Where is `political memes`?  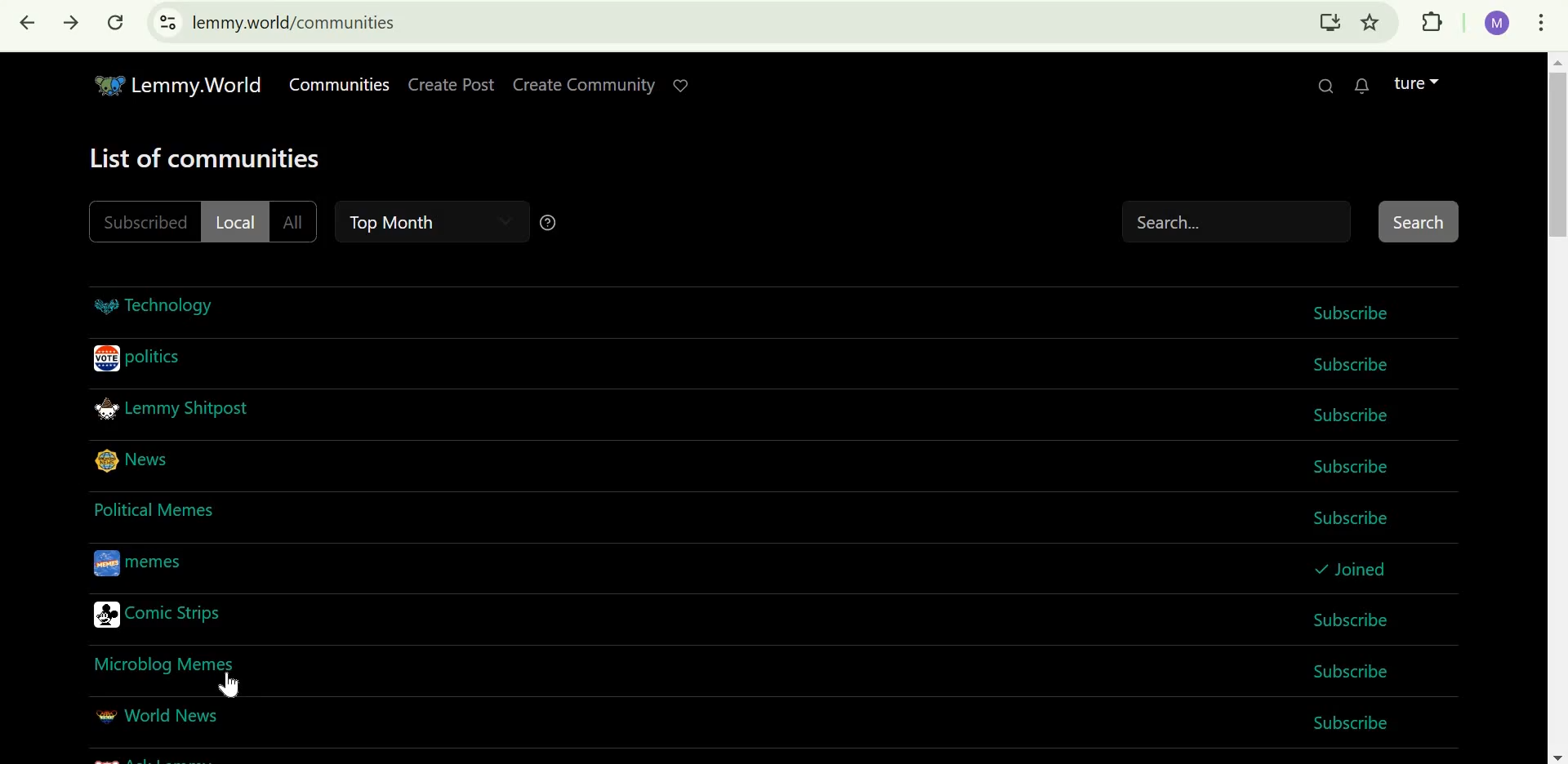
political memes is located at coordinates (157, 509).